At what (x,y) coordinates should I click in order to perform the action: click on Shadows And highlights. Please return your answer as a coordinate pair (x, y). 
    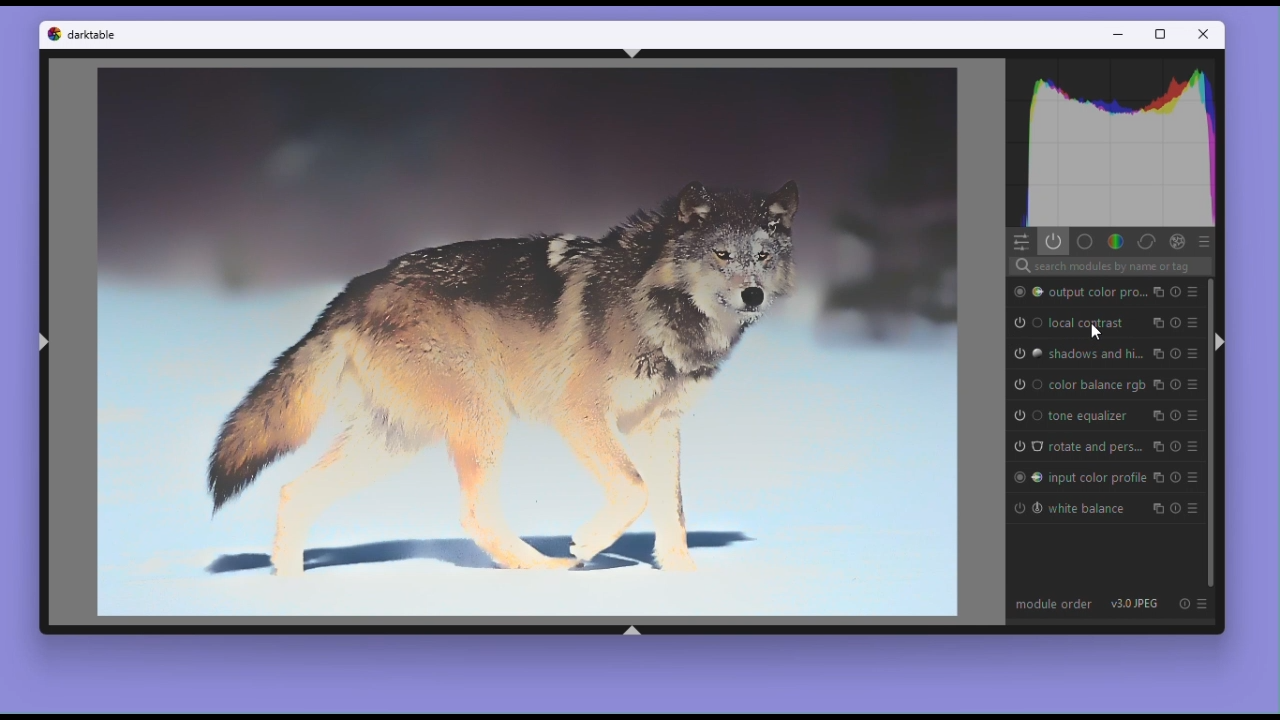
    Looking at the image, I should click on (1095, 354).